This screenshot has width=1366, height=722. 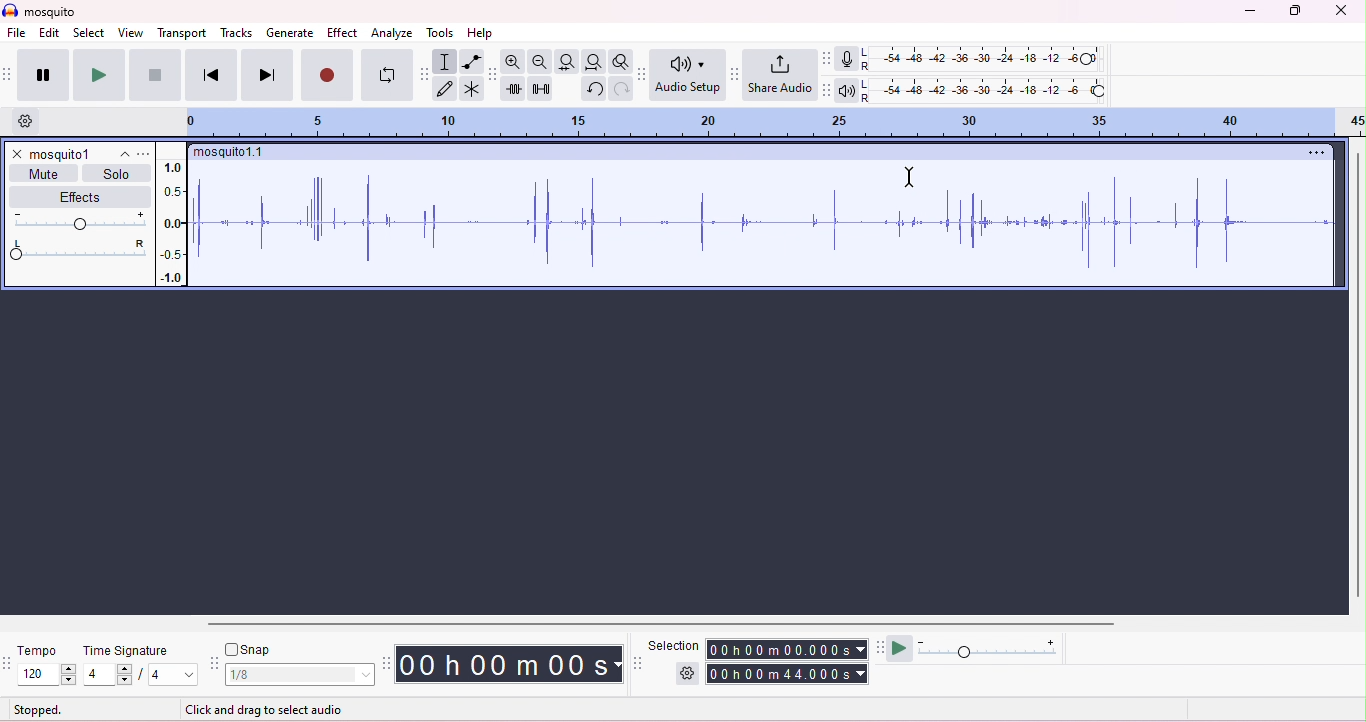 What do you see at coordinates (883, 646) in the screenshot?
I see `play at speed tool bar` at bounding box center [883, 646].